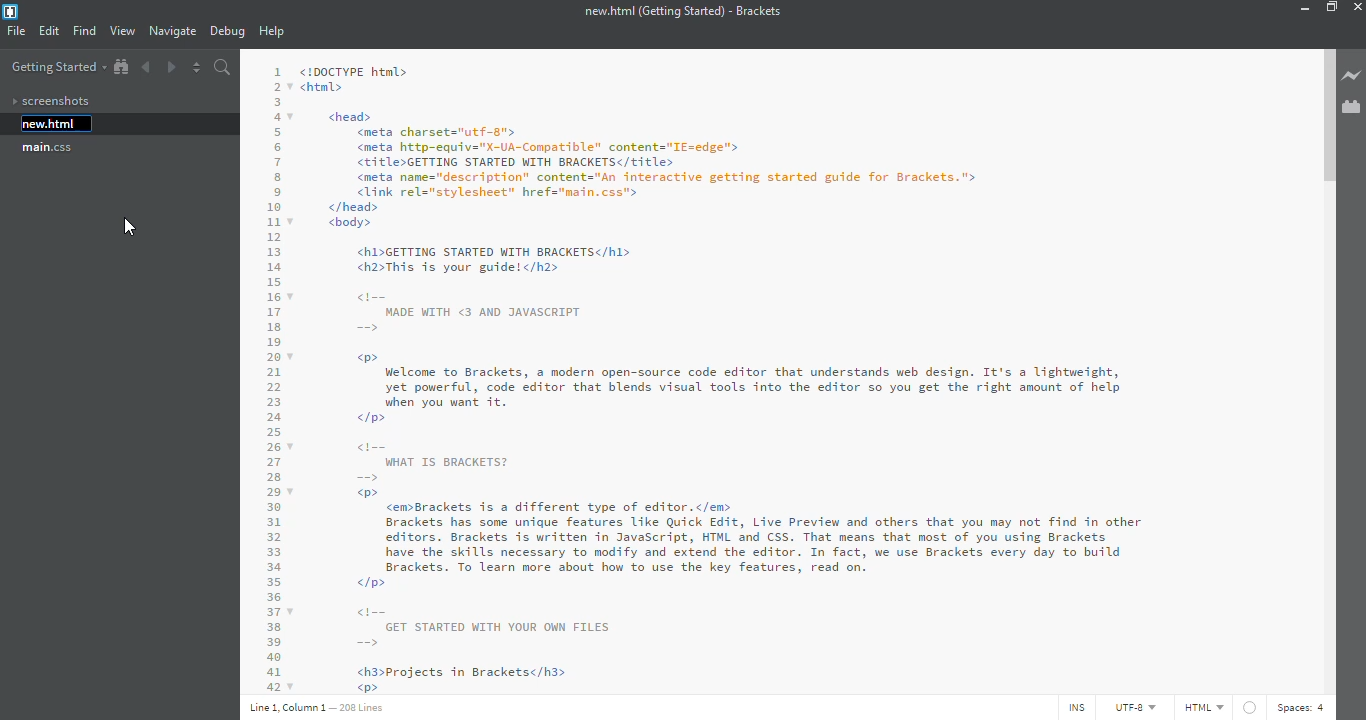 The image size is (1366, 720). Describe the element at coordinates (57, 68) in the screenshot. I see `getting started` at that location.